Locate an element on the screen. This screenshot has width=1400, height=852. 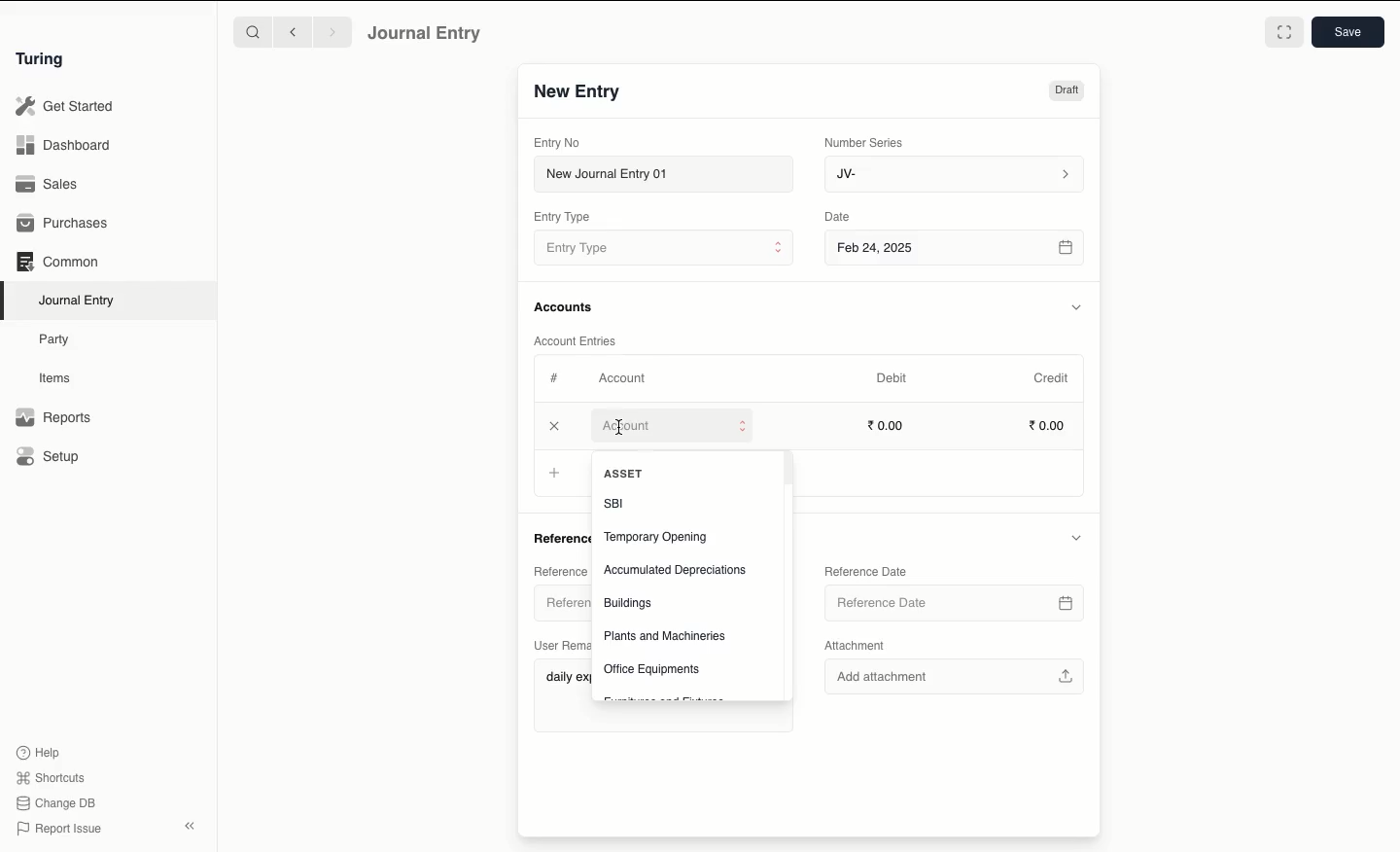
Attachment is located at coordinates (858, 644).